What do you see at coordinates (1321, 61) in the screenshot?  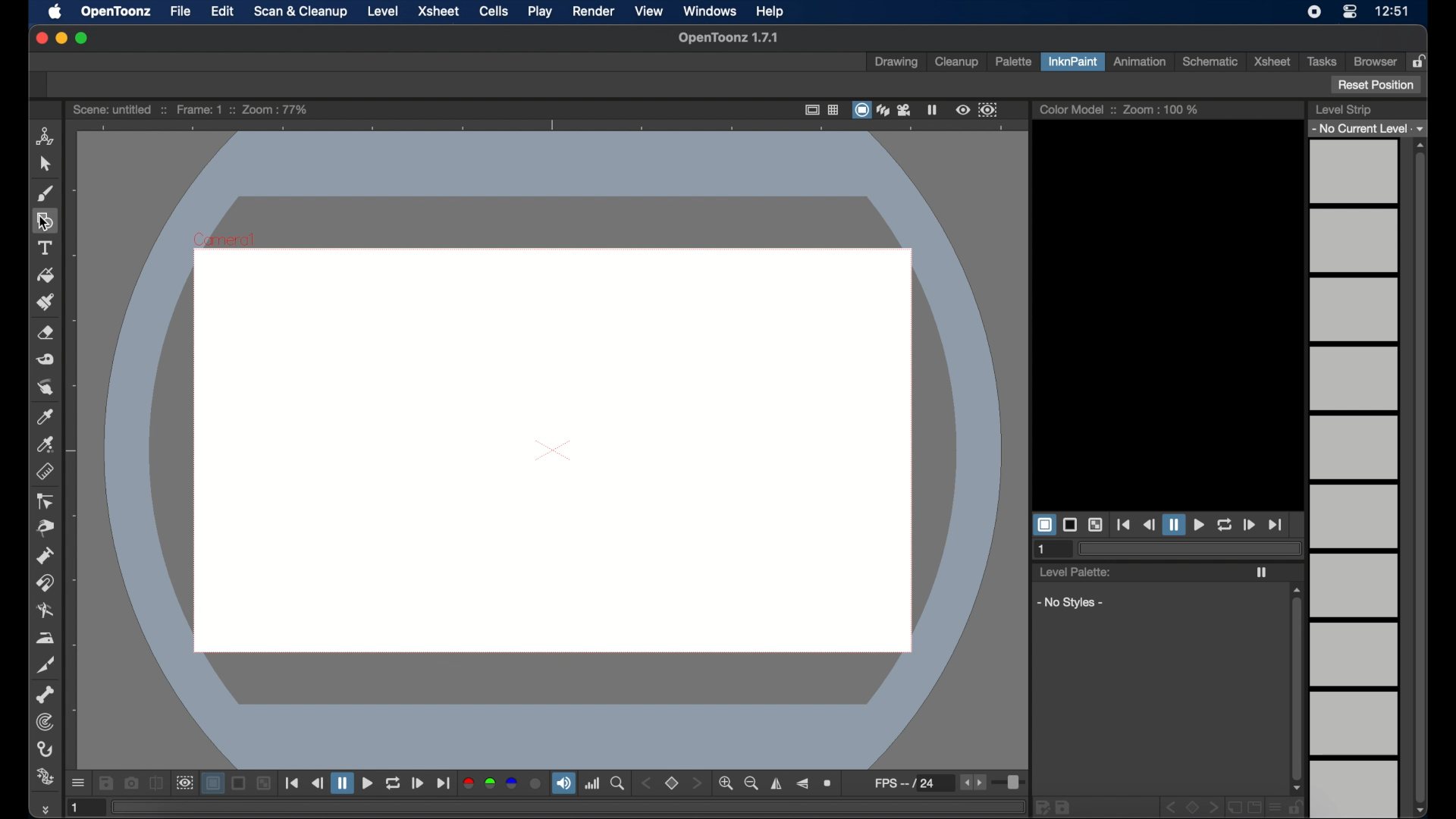 I see `tasks` at bounding box center [1321, 61].